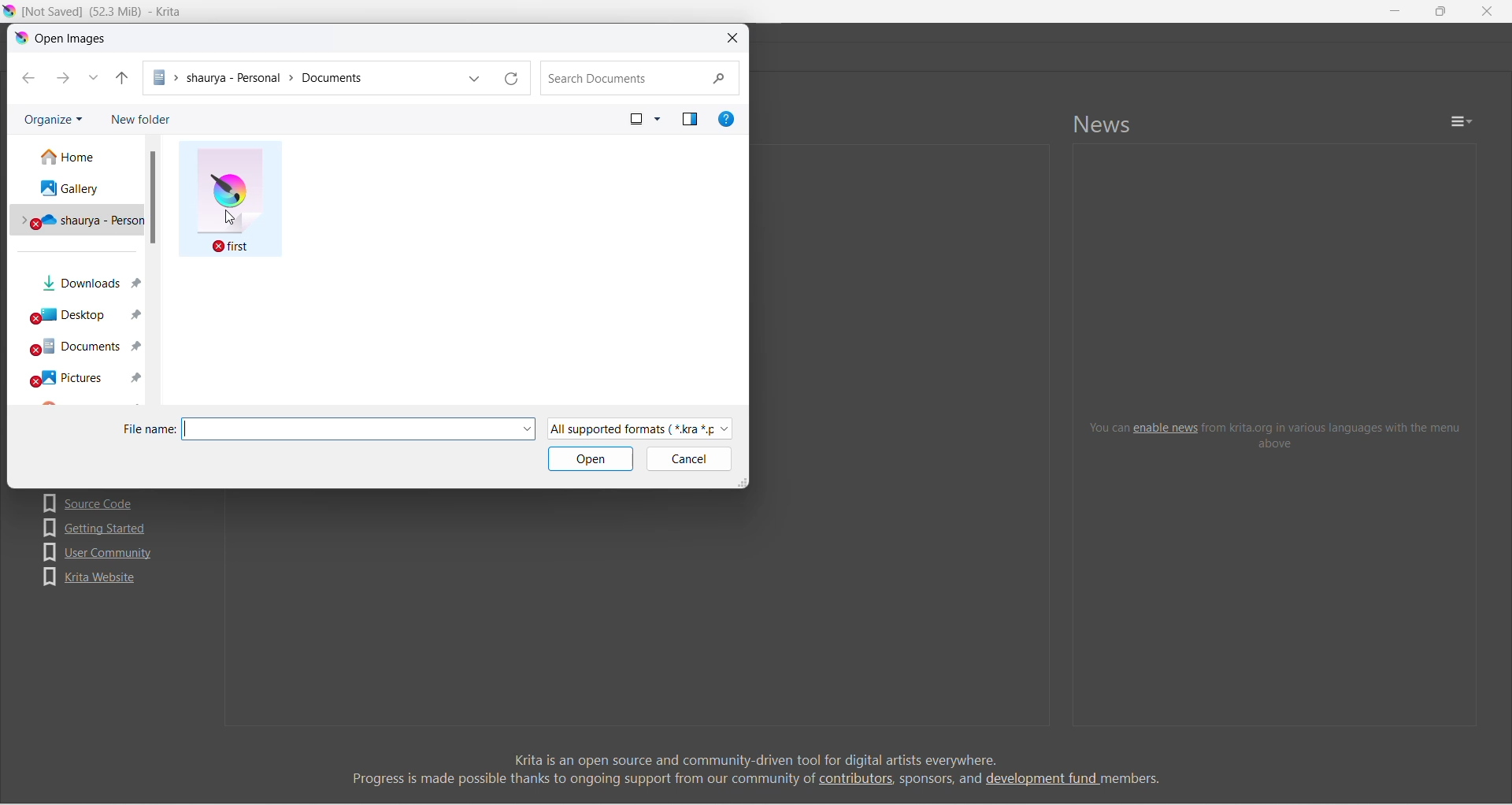 This screenshot has height=805, width=1512. I want to click on GETTING STARTED, so click(98, 528).